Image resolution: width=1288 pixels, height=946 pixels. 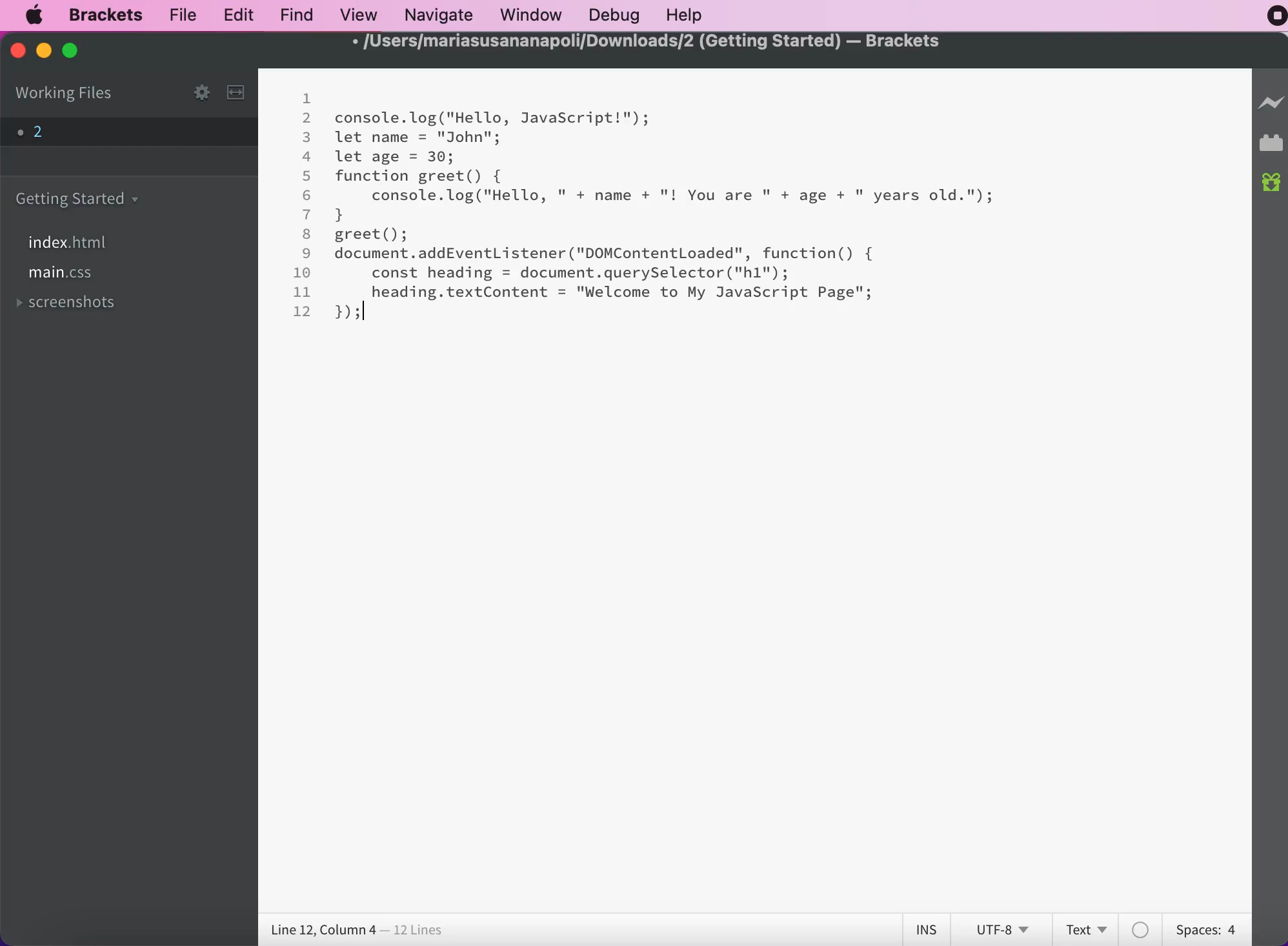 What do you see at coordinates (304, 273) in the screenshot?
I see `10` at bounding box center [304, 273].